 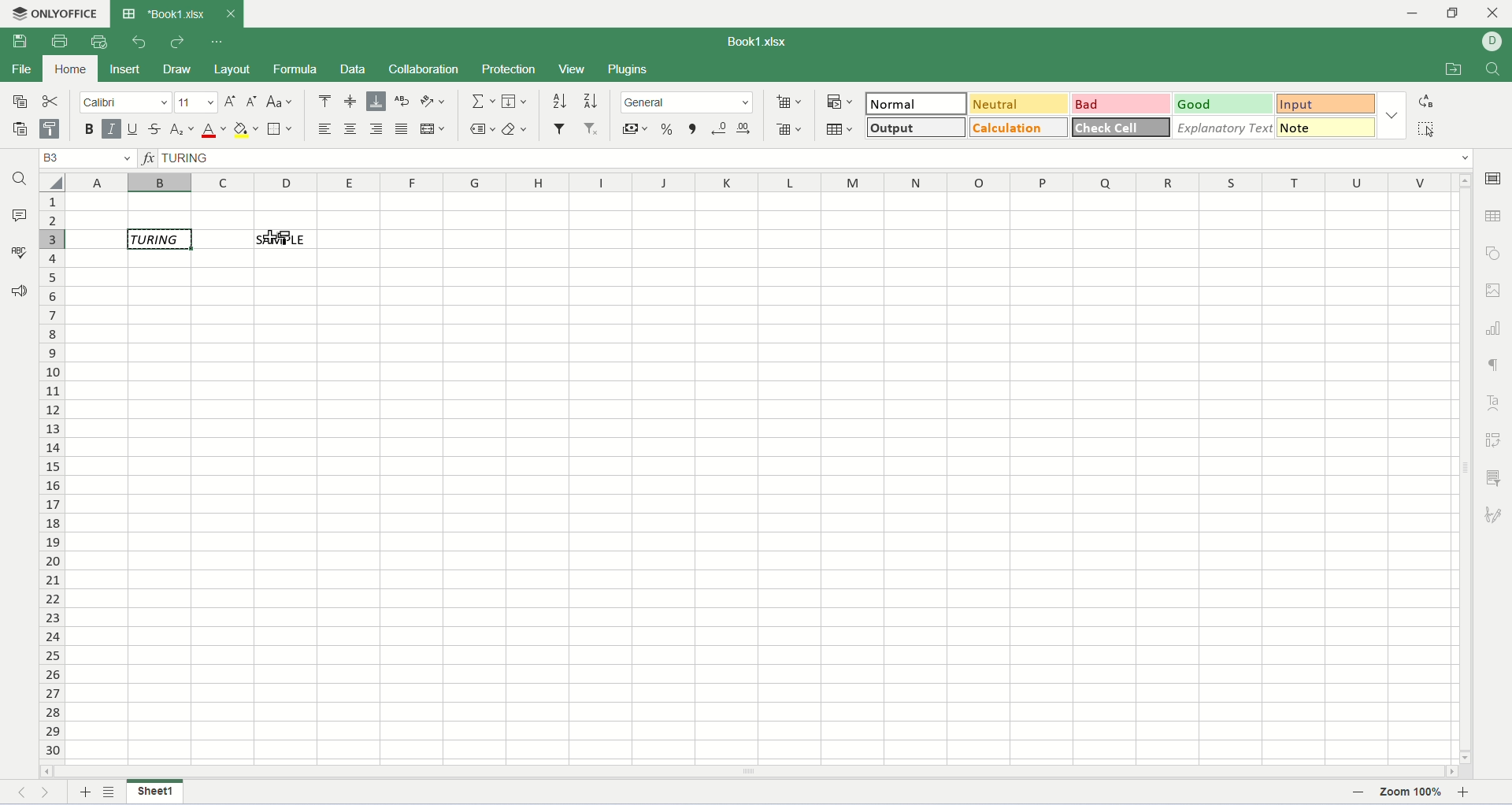 I want to click on protection, so click(x=510, y=69).